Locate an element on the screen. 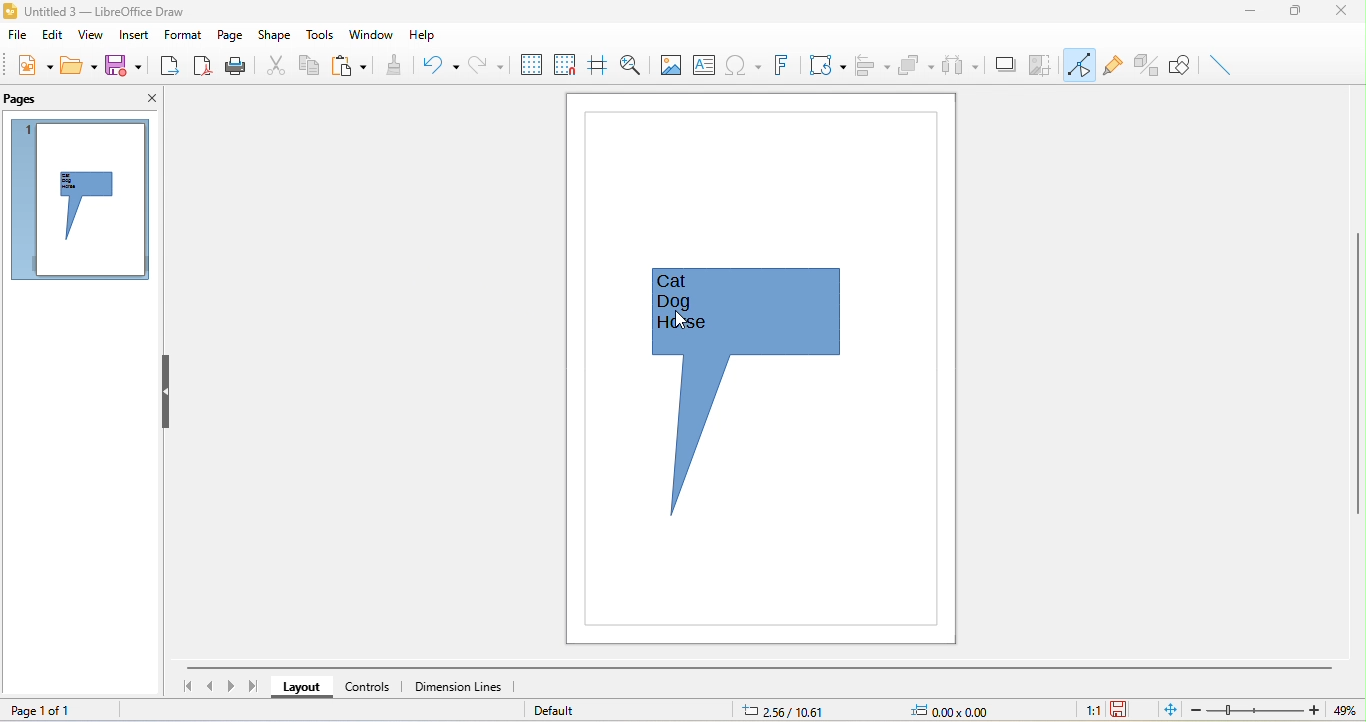  hide is located at coordinates (163, 392).